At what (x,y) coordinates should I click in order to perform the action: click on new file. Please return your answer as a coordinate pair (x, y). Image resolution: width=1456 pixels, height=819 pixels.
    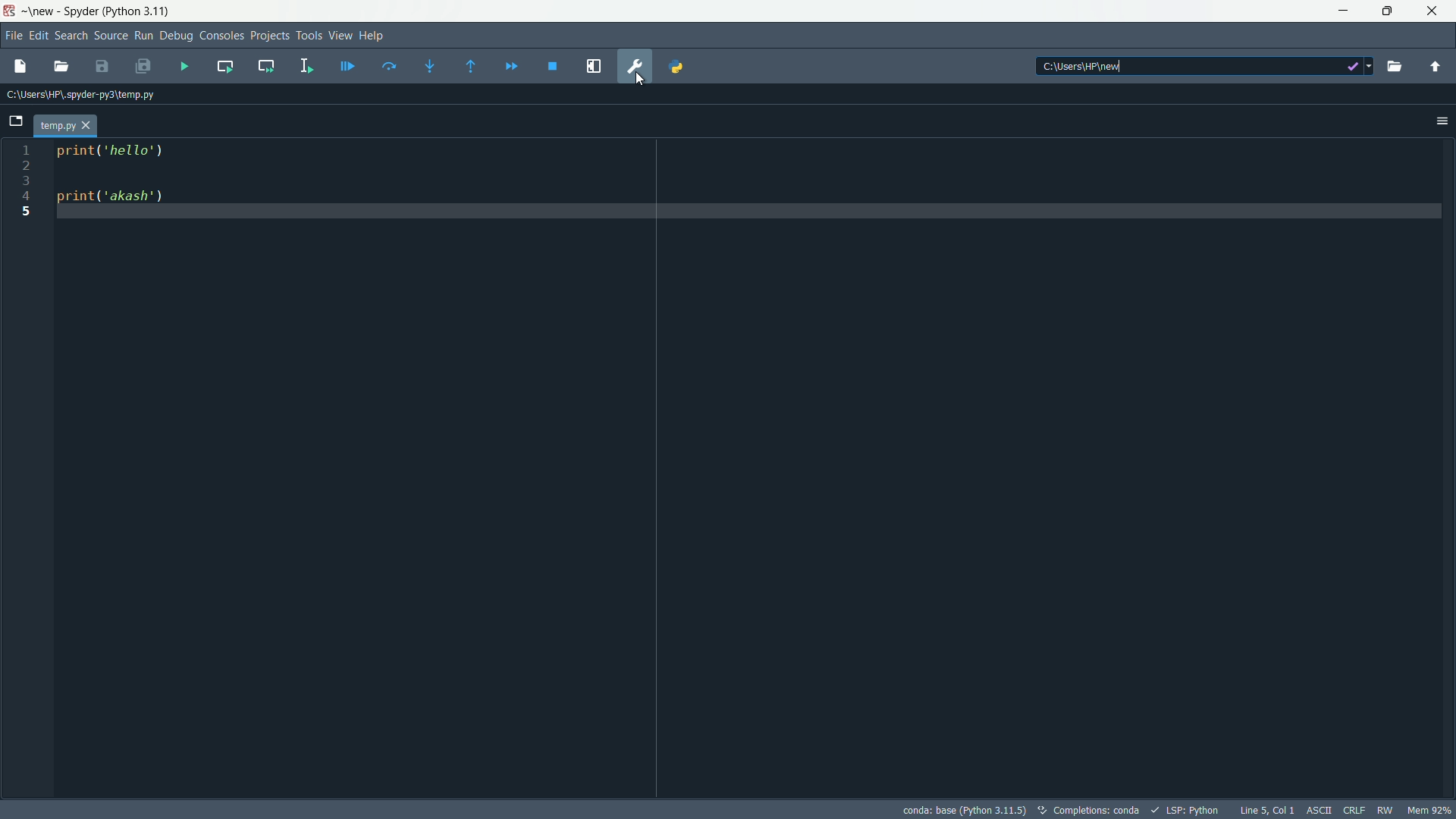
    Looking at the image, I should click on (20, 67).